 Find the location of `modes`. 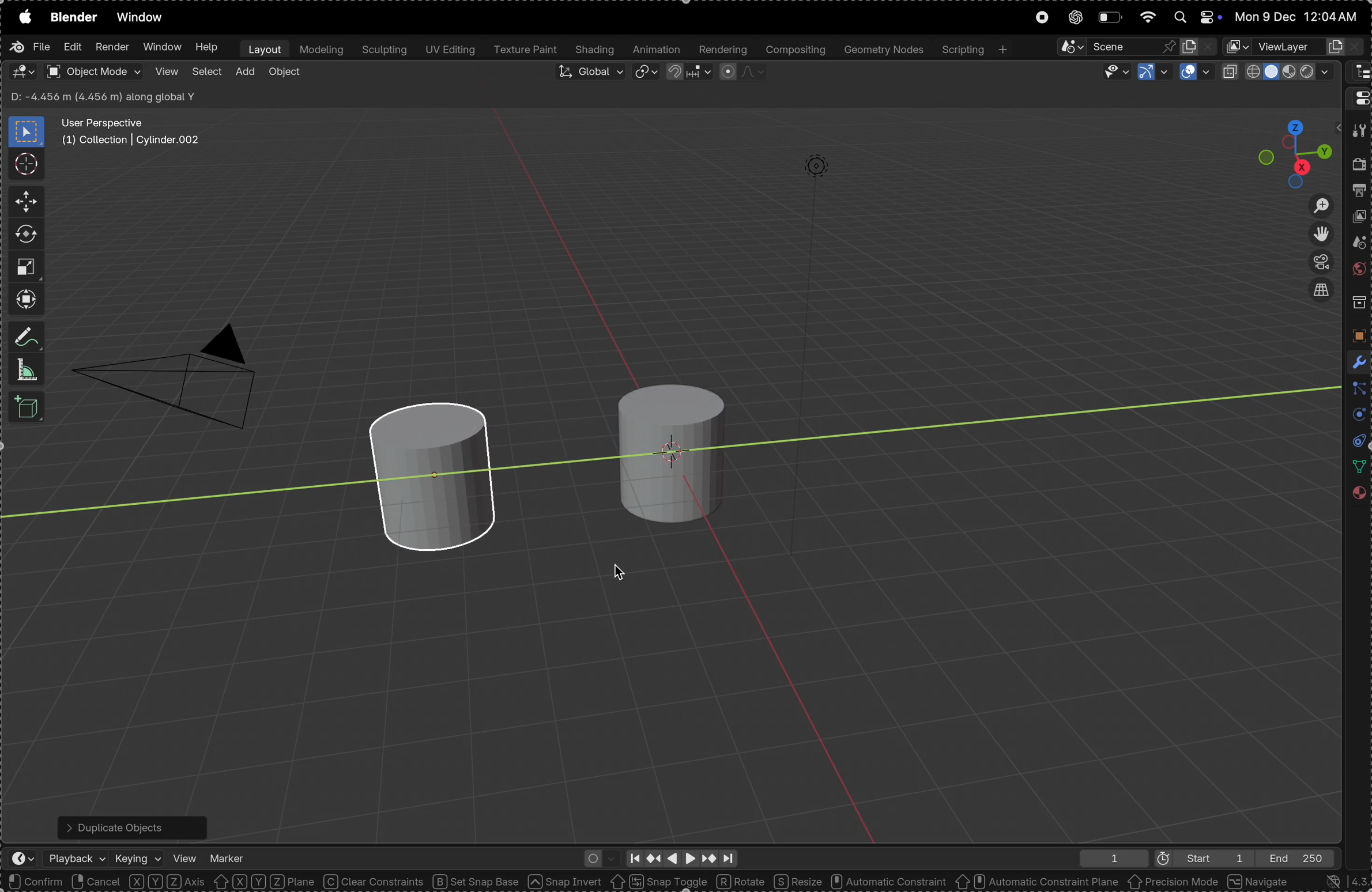

modes is located at coordinates (107, 97).